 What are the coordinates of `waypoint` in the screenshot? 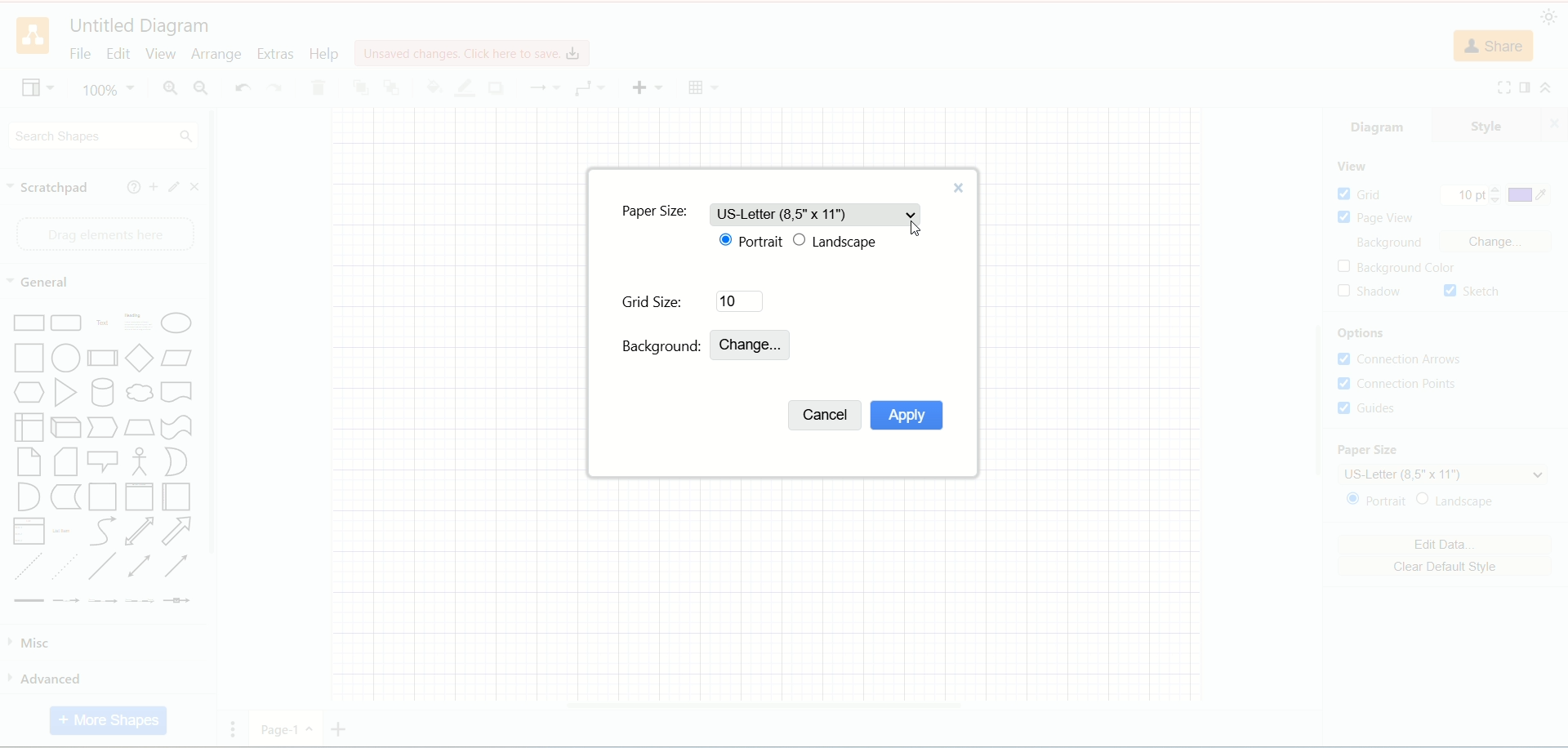 It's located at (544, 87).